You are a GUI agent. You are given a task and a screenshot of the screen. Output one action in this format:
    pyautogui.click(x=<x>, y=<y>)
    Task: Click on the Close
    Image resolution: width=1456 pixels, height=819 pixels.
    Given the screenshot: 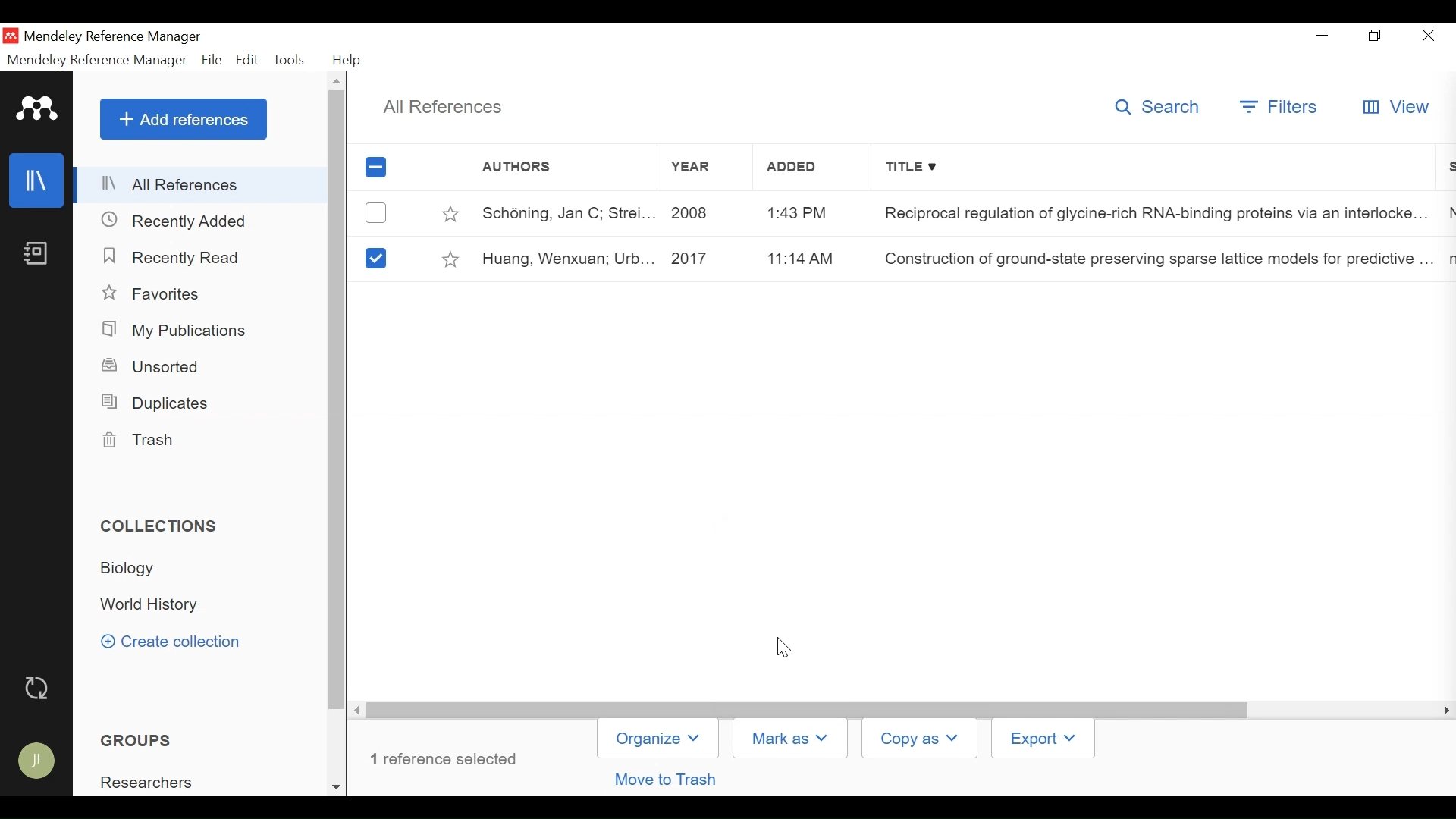 What is the action you would take?
    pyautogui.click(x=1428, y=36)
    